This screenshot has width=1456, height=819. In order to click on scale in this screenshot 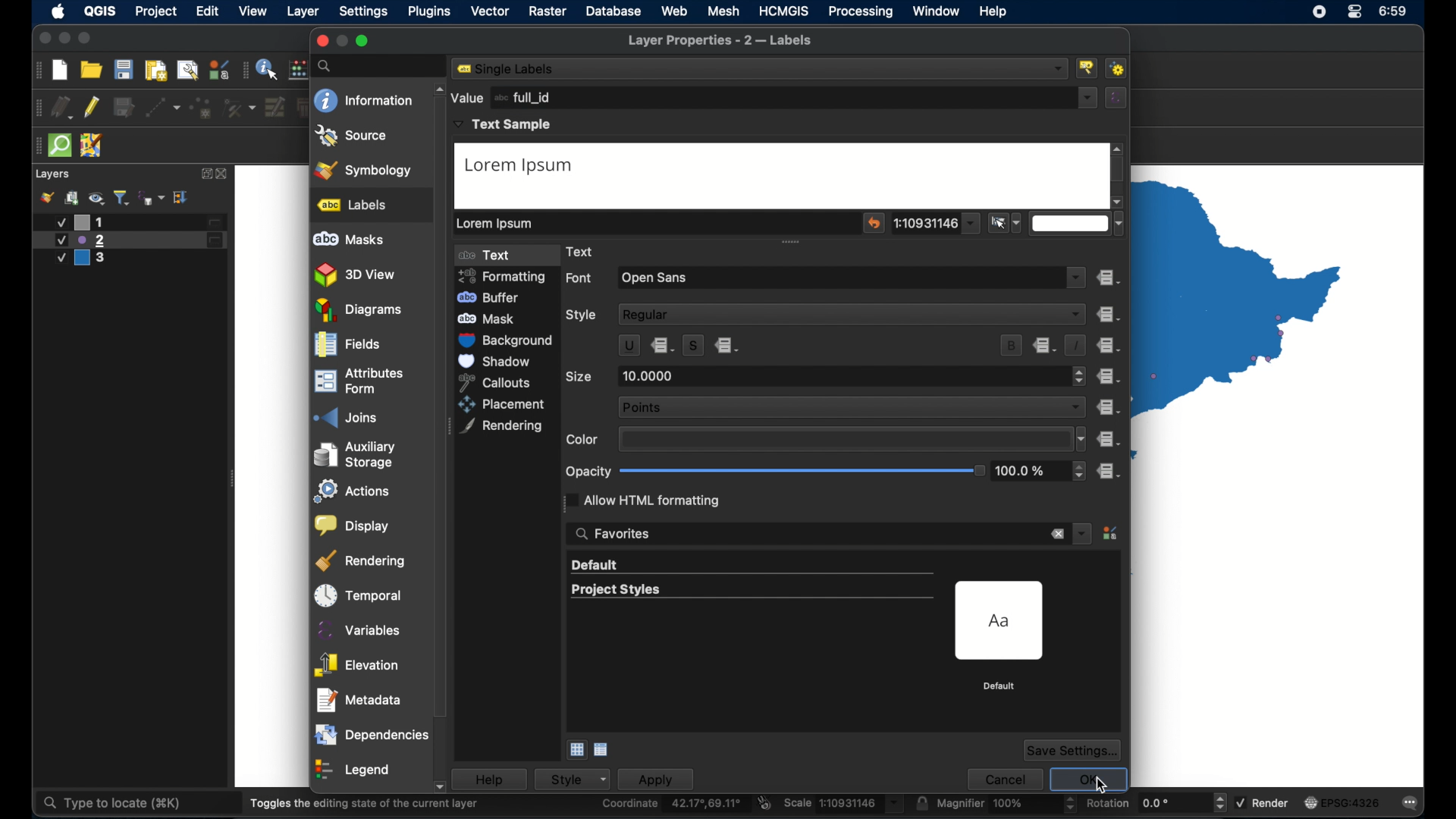, I will do `click(844, 804)`.